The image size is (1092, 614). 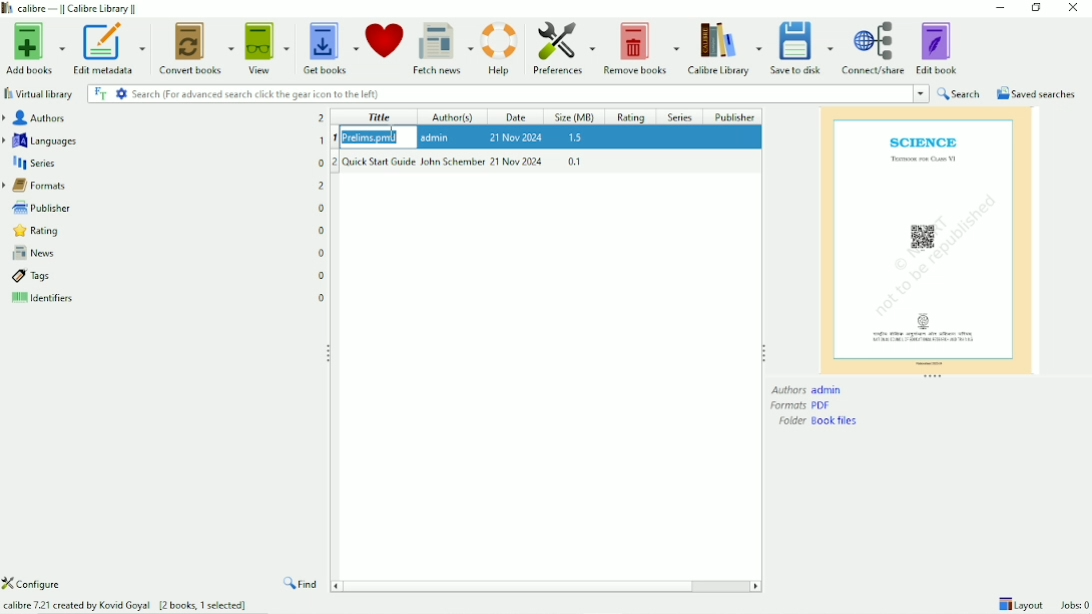 What do you see at coordinates (934, 377) in the screenshot?
I see `Resize` at bounding box center [934, 377].